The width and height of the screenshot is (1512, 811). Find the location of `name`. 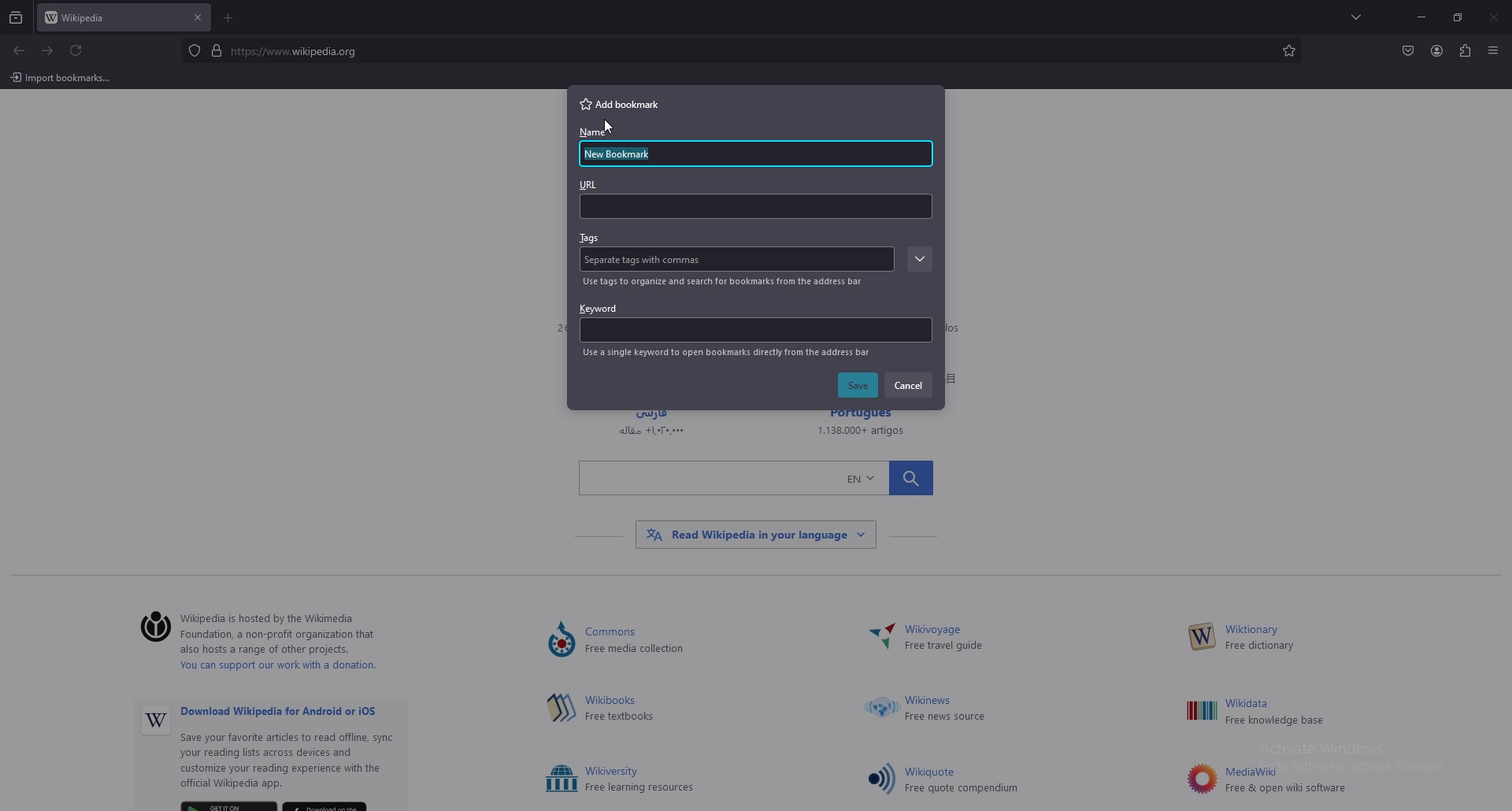

name is located at coordinates (629, 155).